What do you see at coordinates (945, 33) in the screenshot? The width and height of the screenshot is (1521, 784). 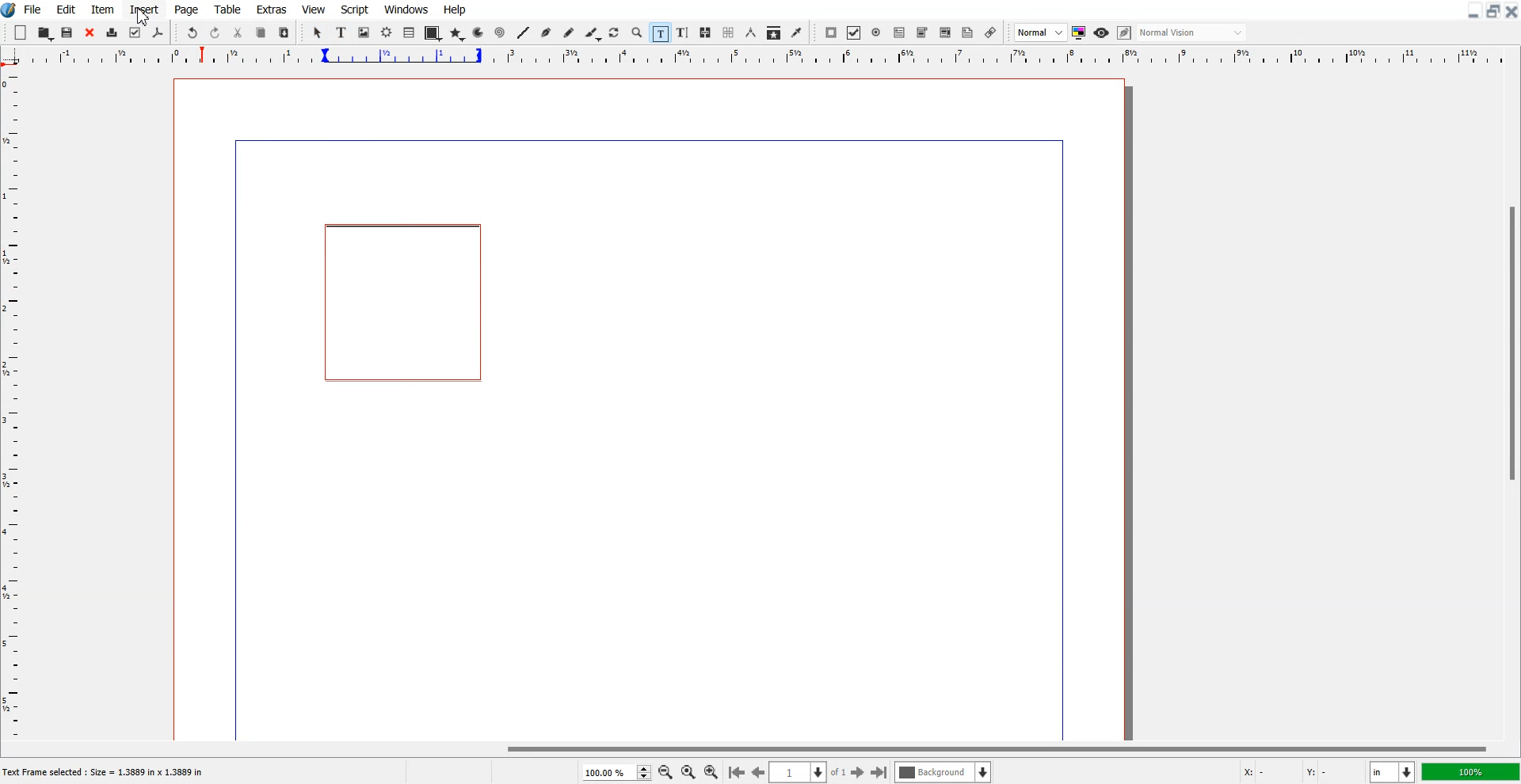 I see `PDF List Box` at bounding box center [945, 33].